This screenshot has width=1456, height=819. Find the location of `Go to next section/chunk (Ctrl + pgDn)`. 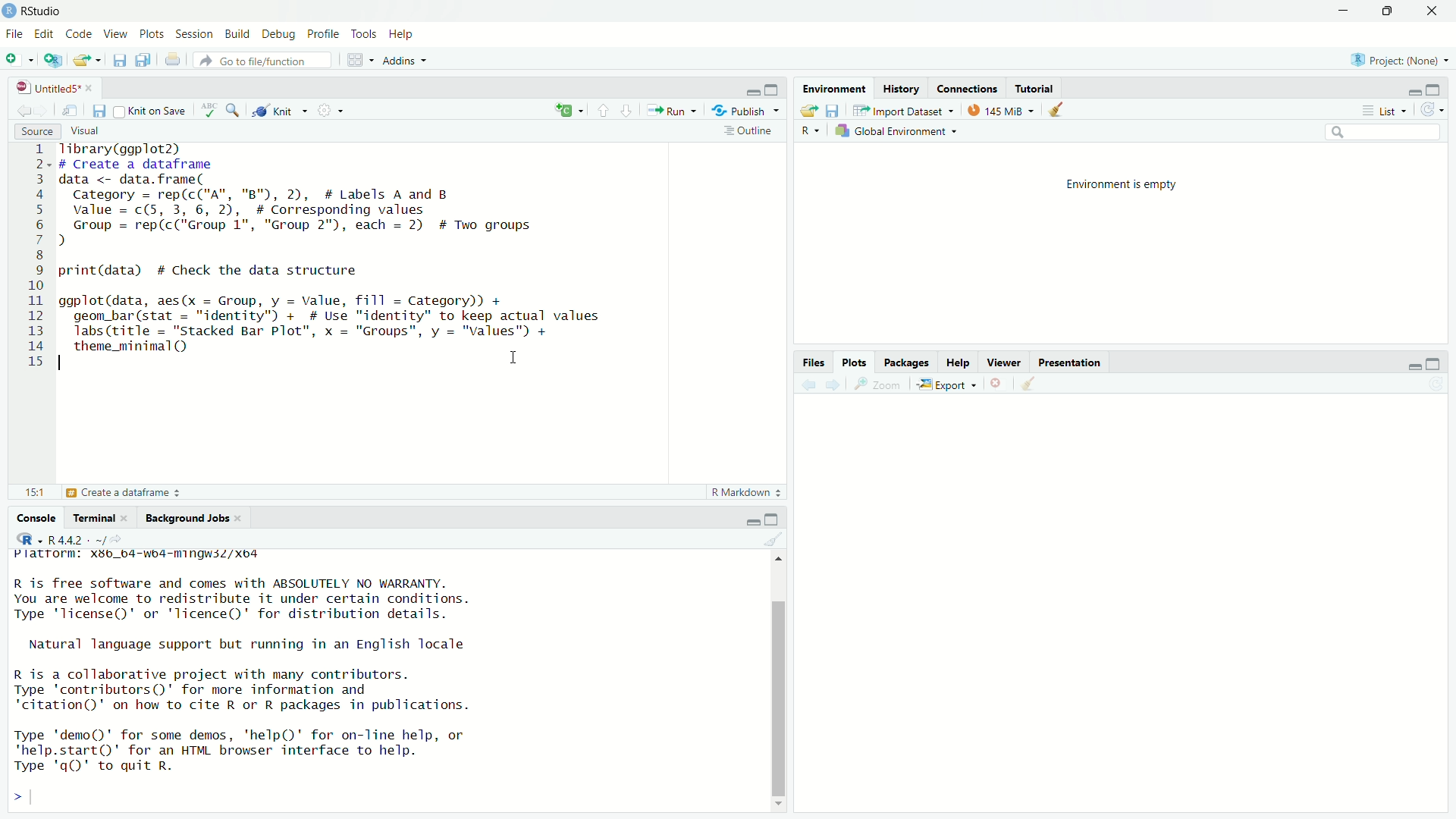

Go to next section/chunk (Ctrl + pgDn) is located at coordinates (625, 109).